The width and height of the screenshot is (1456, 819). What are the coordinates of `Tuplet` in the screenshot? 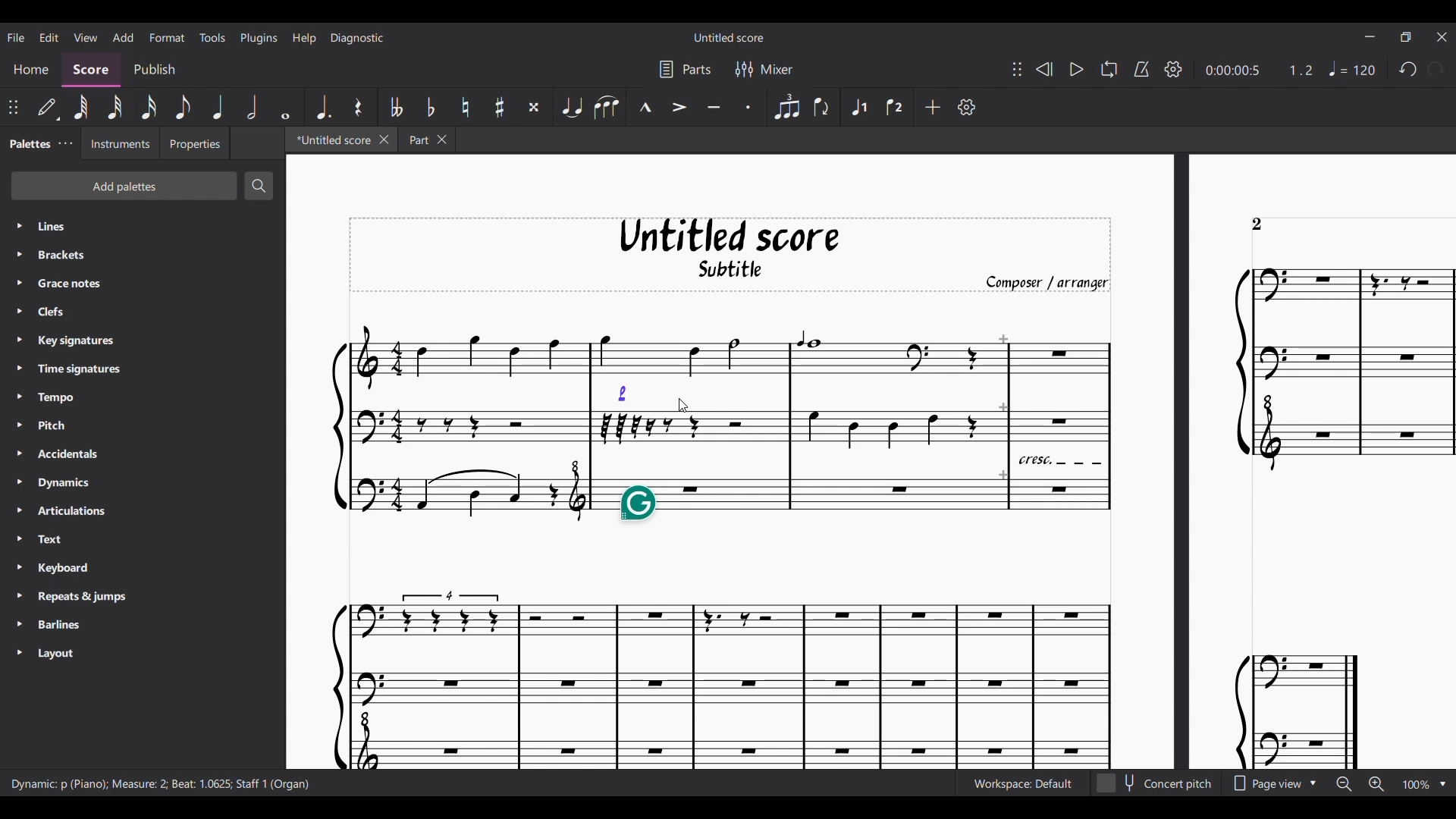 It's located at (786, 107).